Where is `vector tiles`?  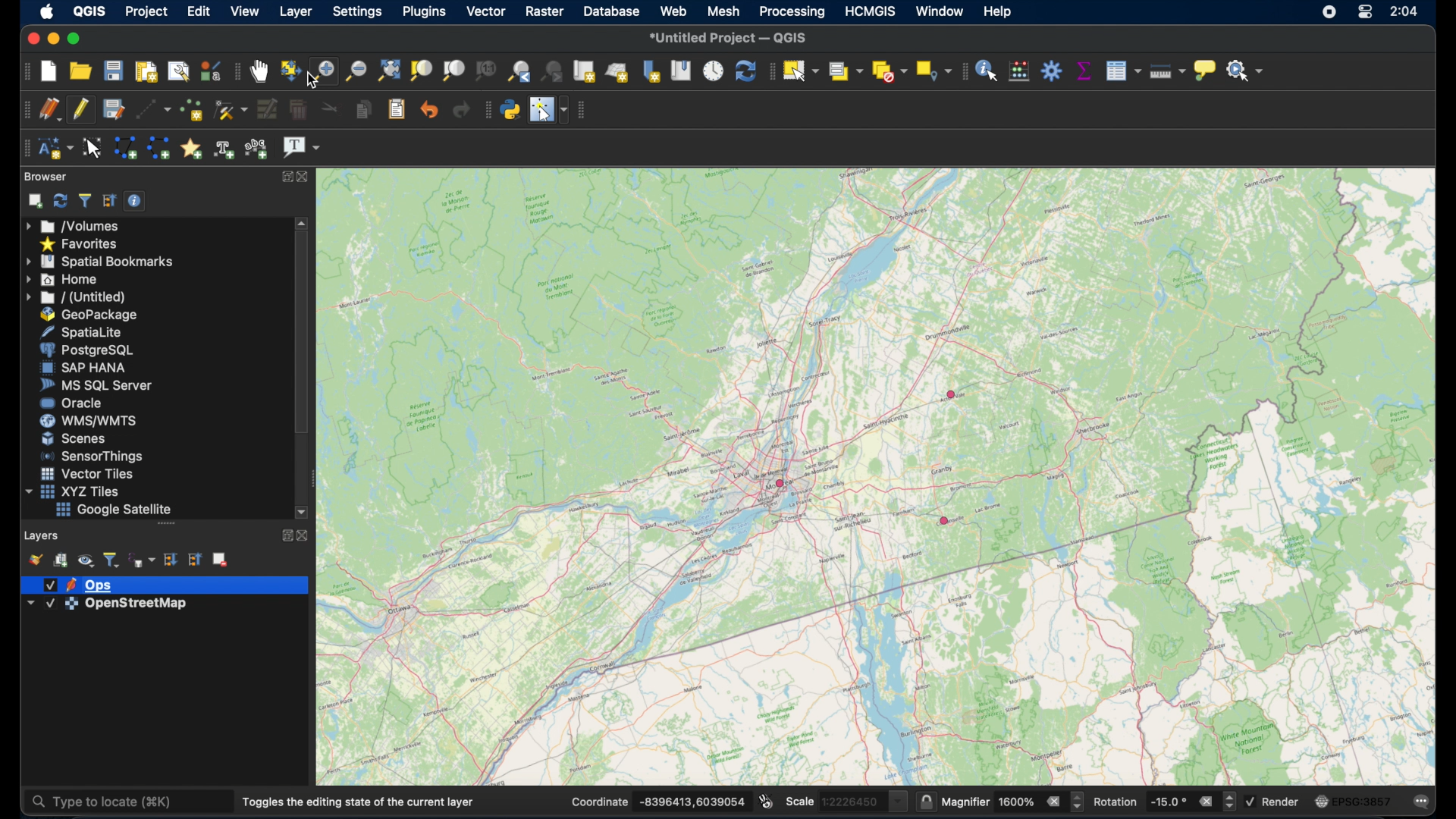
vector tiles is located at coordinates (84, 473).